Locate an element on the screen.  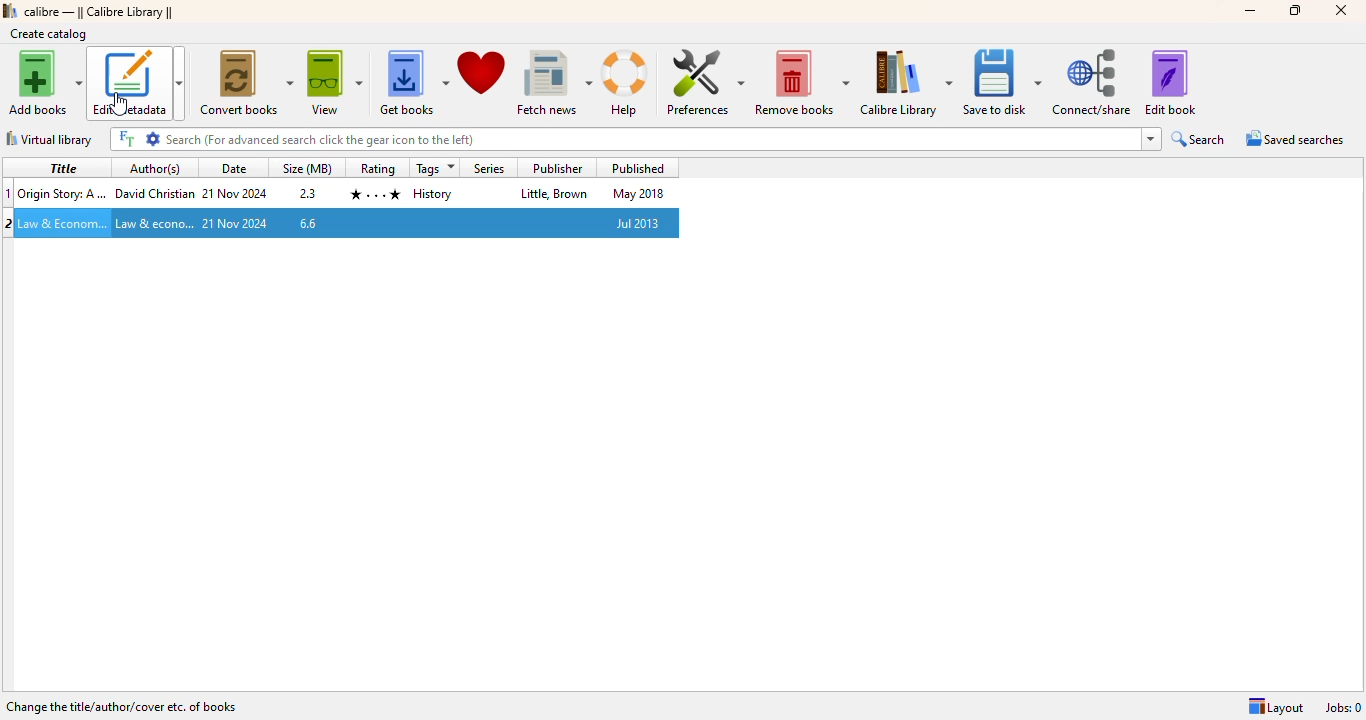
calibre library is located at coordinates (100, 11).